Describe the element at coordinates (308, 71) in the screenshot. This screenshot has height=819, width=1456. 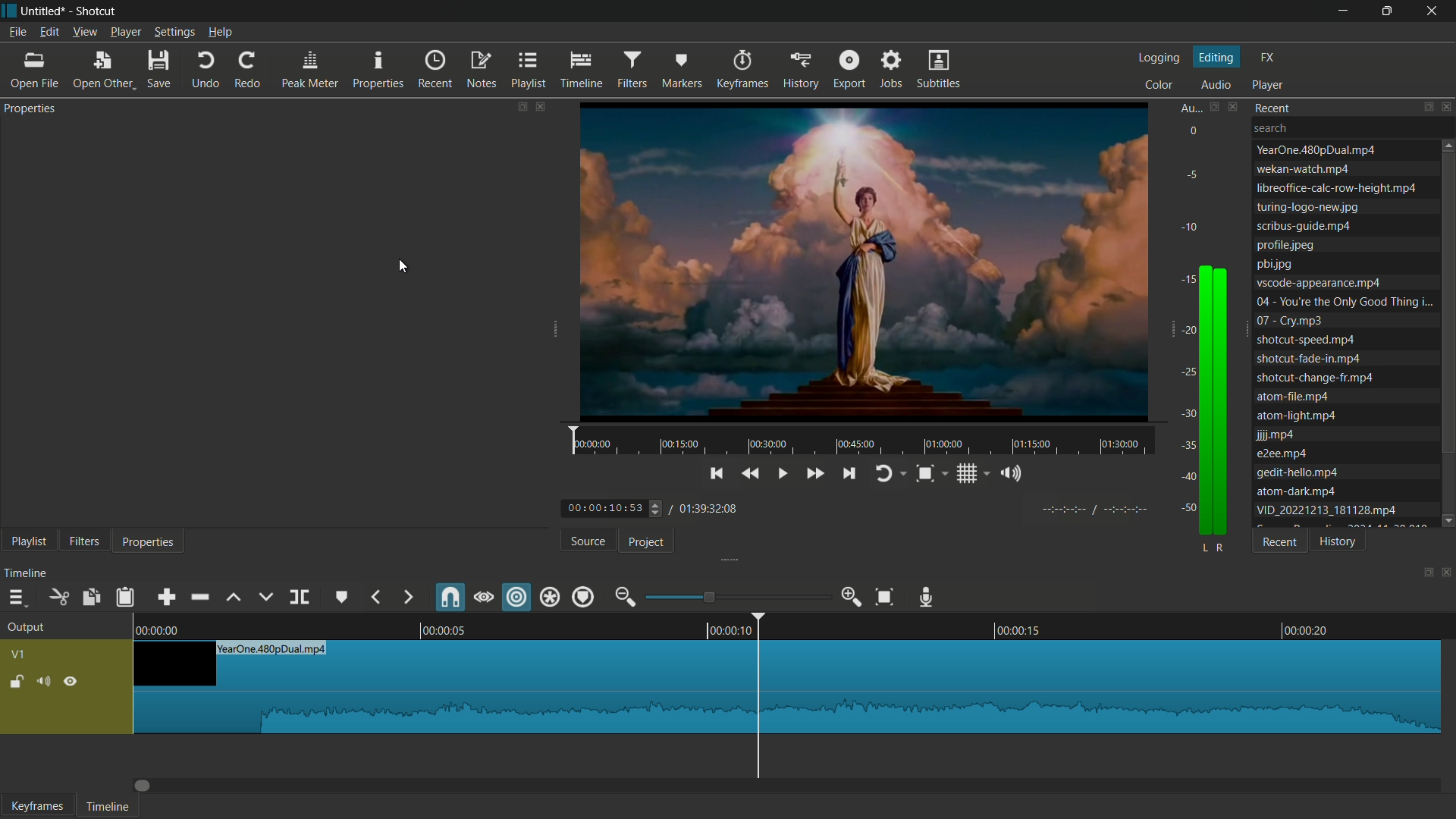
I see `peak meter` at that location.